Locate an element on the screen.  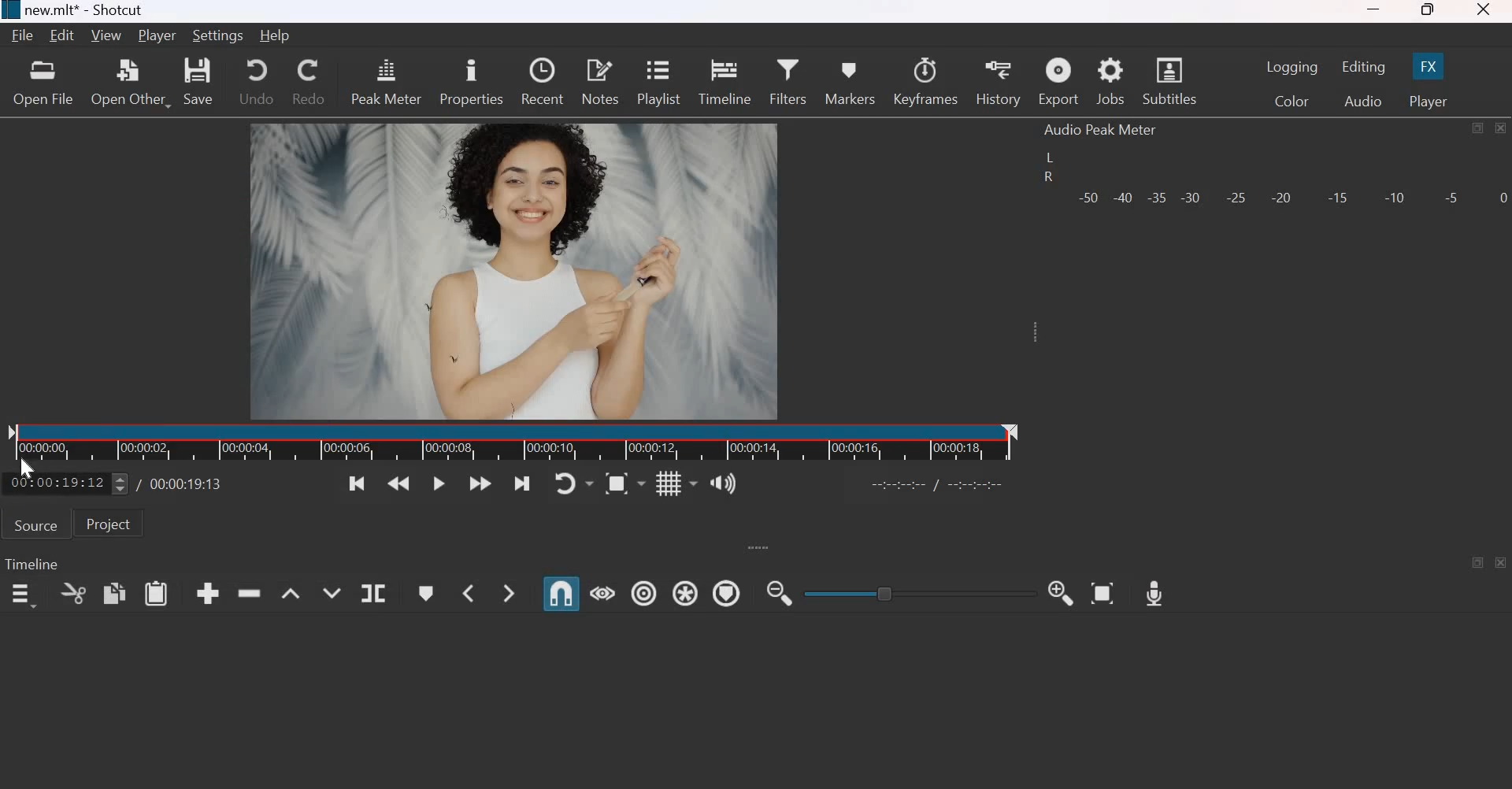
properties is located at coordinates (471, 80).